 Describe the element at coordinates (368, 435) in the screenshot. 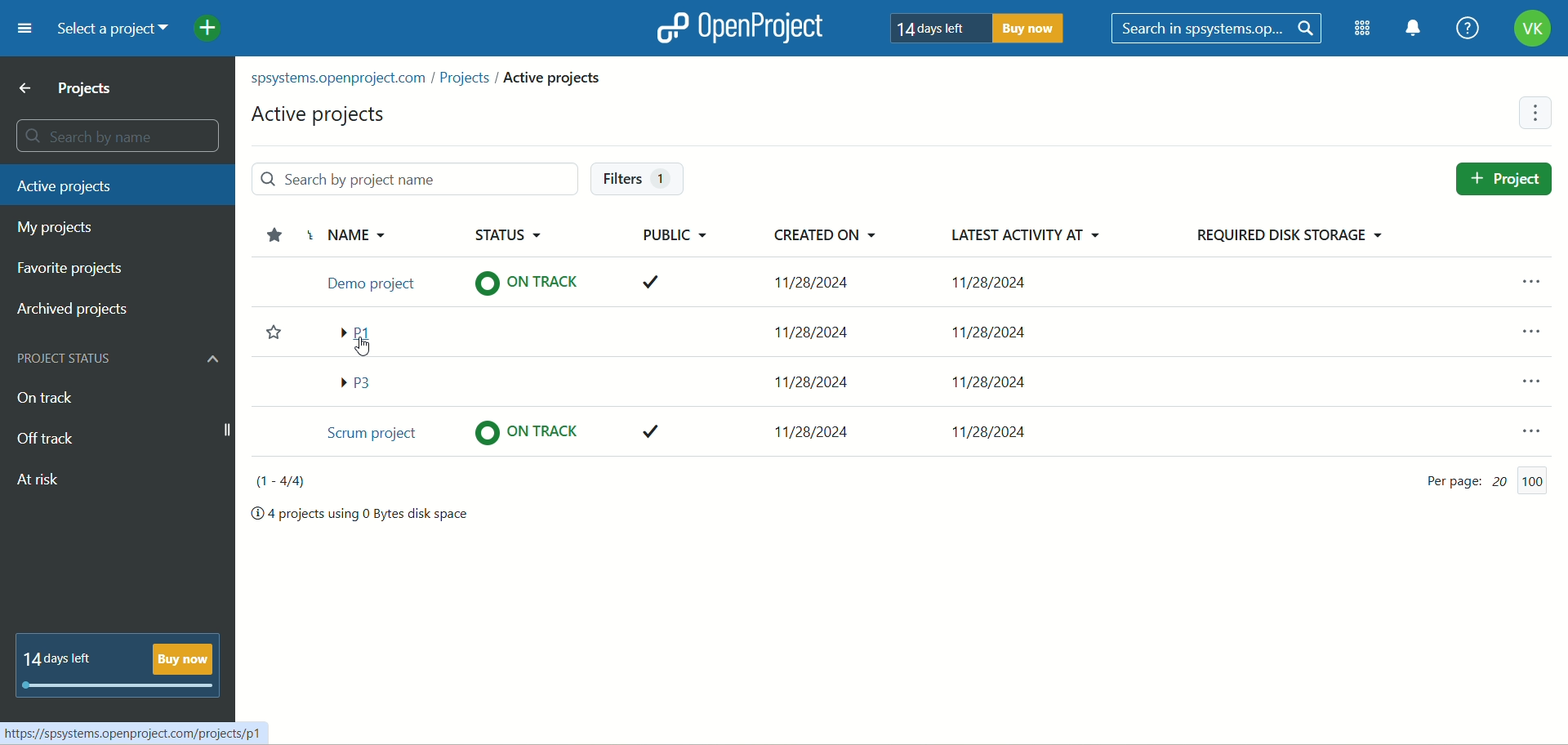

I see `Scrum project` at that location.